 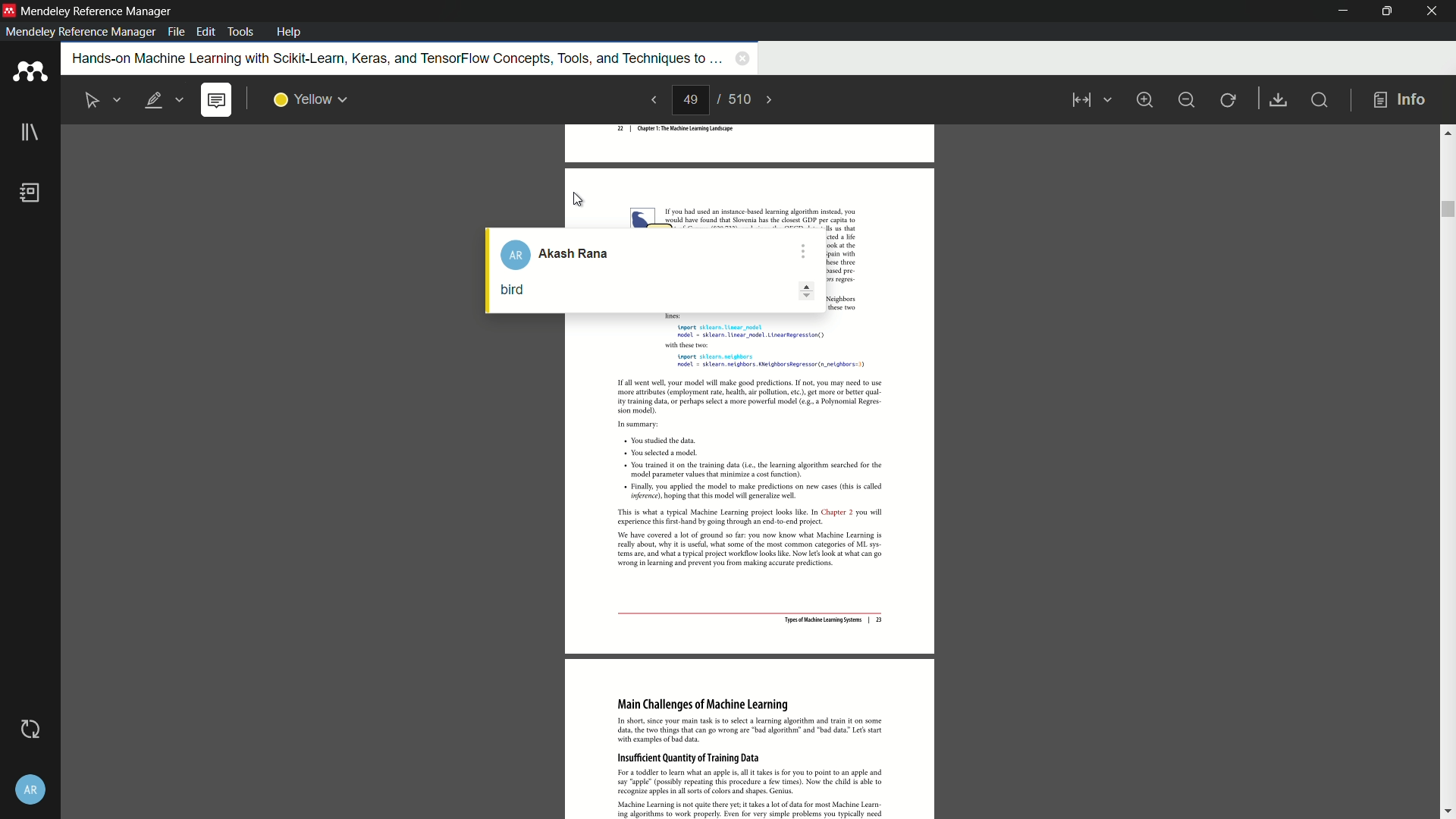 I want to click on current page, so click(x=692, y=101).